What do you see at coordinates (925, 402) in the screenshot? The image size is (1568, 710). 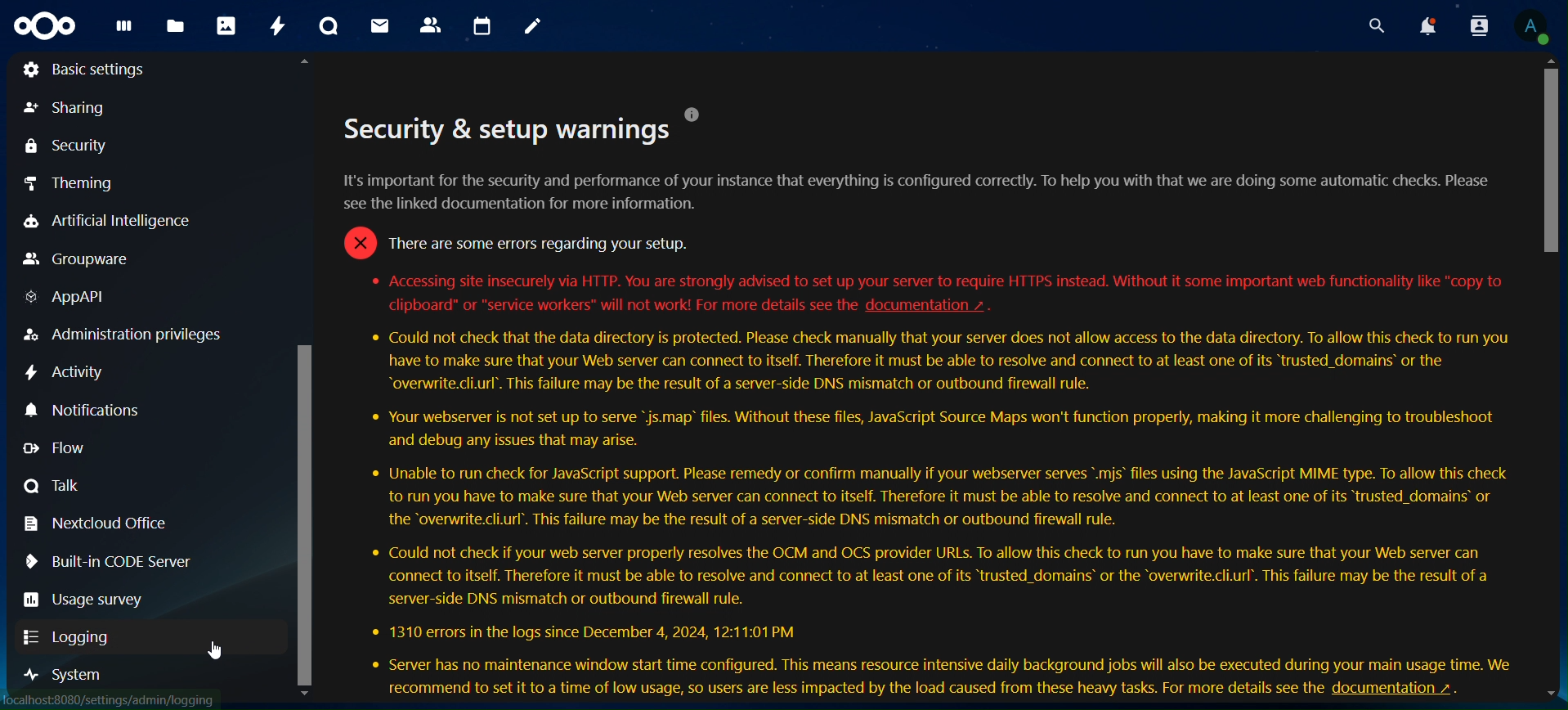 I see `security & setup warnings description` at bounding box center [925, 402].